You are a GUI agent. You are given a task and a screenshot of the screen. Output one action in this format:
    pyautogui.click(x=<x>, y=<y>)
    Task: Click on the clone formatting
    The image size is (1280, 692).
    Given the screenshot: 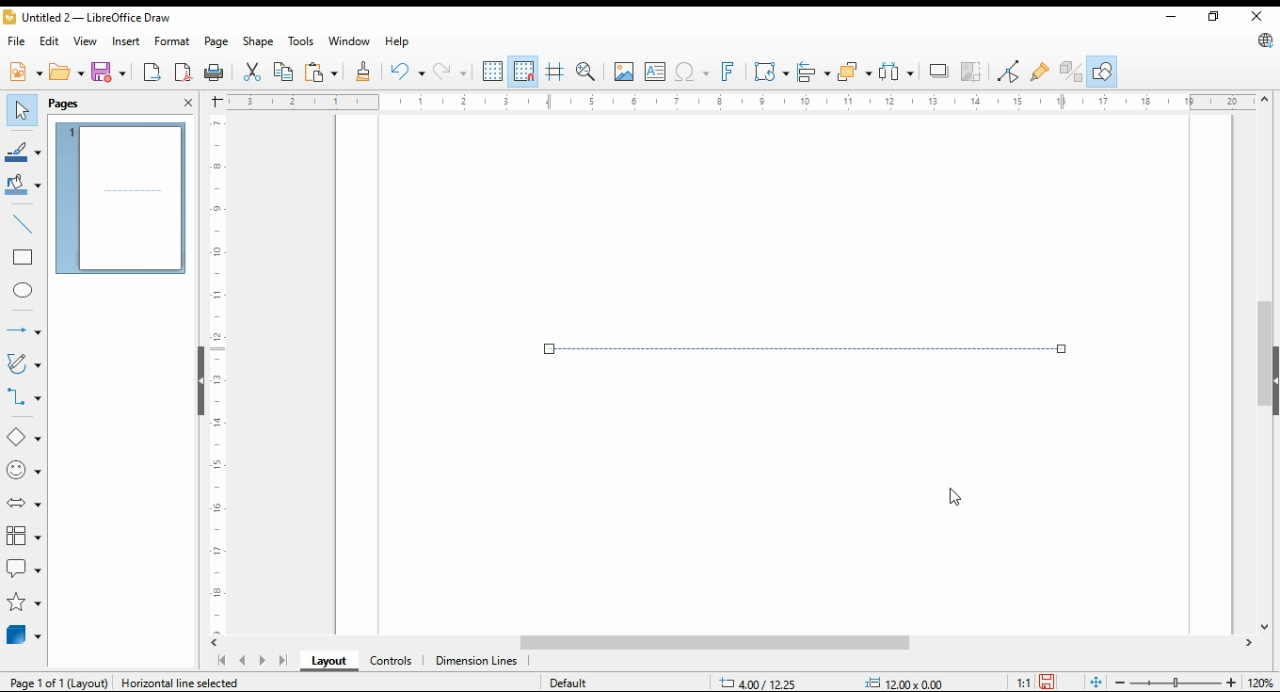 What is the action you would take?
    pyautogui.click(x=367, y=72)
    